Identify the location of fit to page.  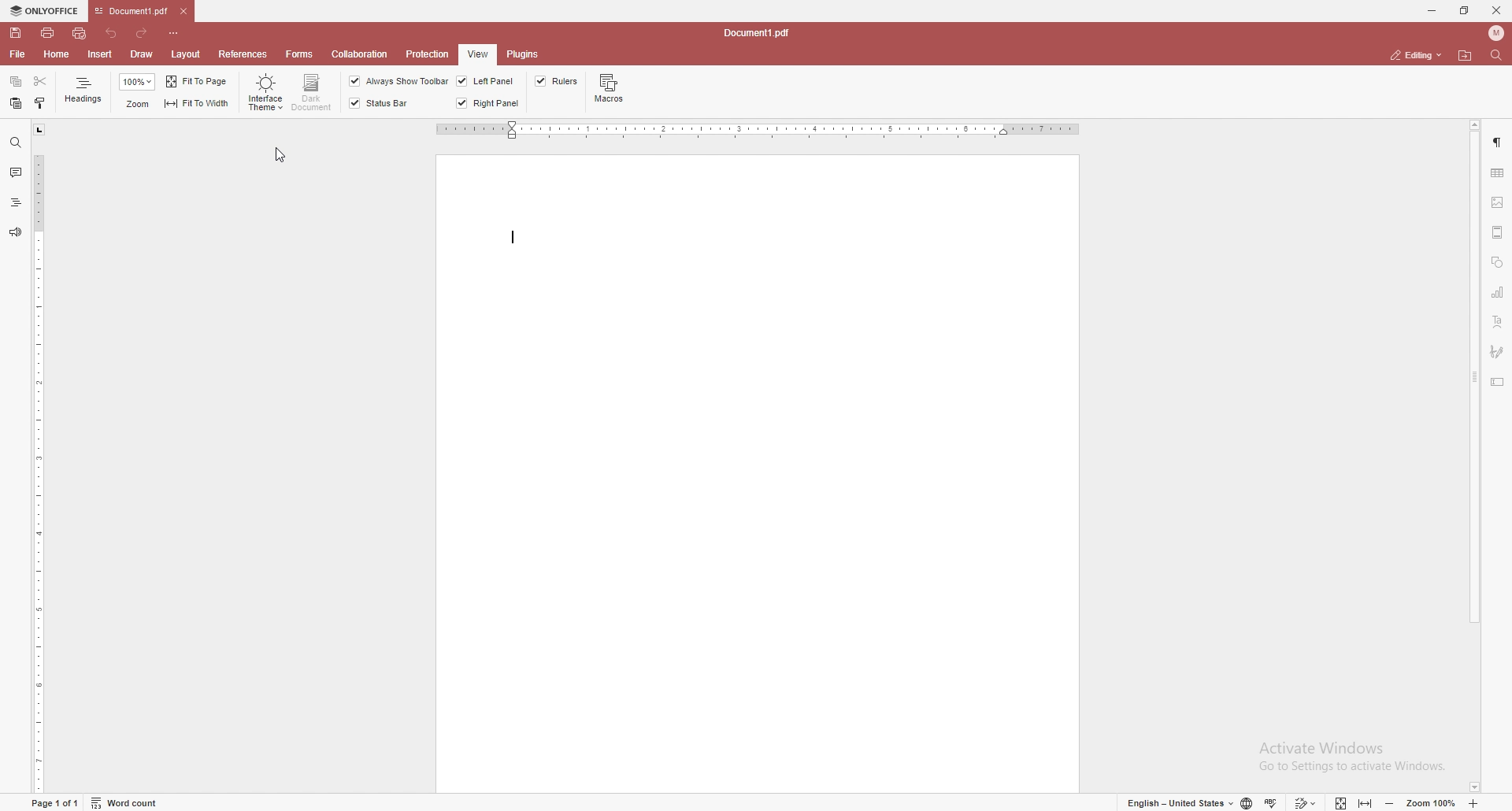
(198, 81).